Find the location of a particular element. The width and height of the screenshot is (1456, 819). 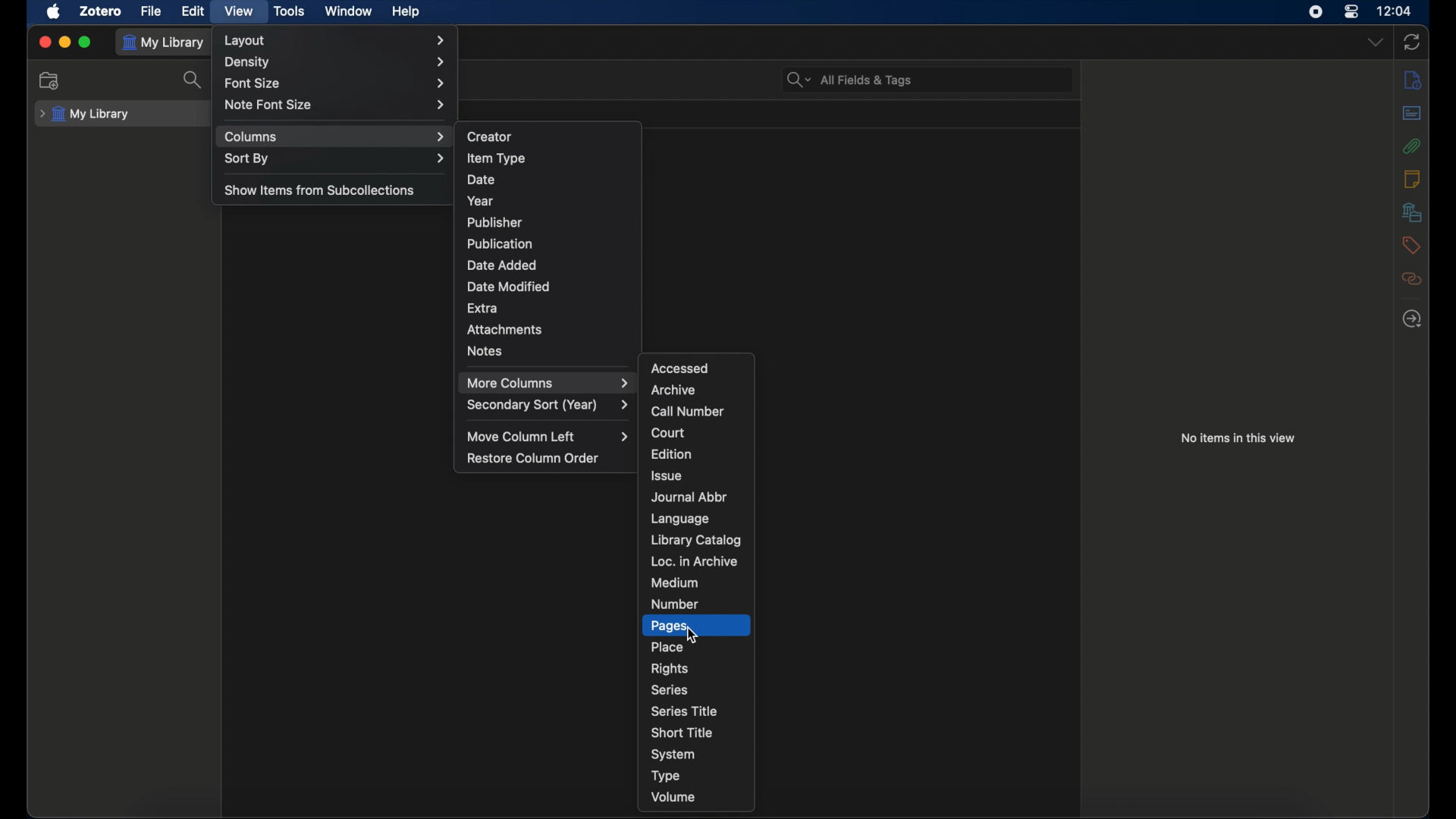

time is located at coordinates (1393, 11).